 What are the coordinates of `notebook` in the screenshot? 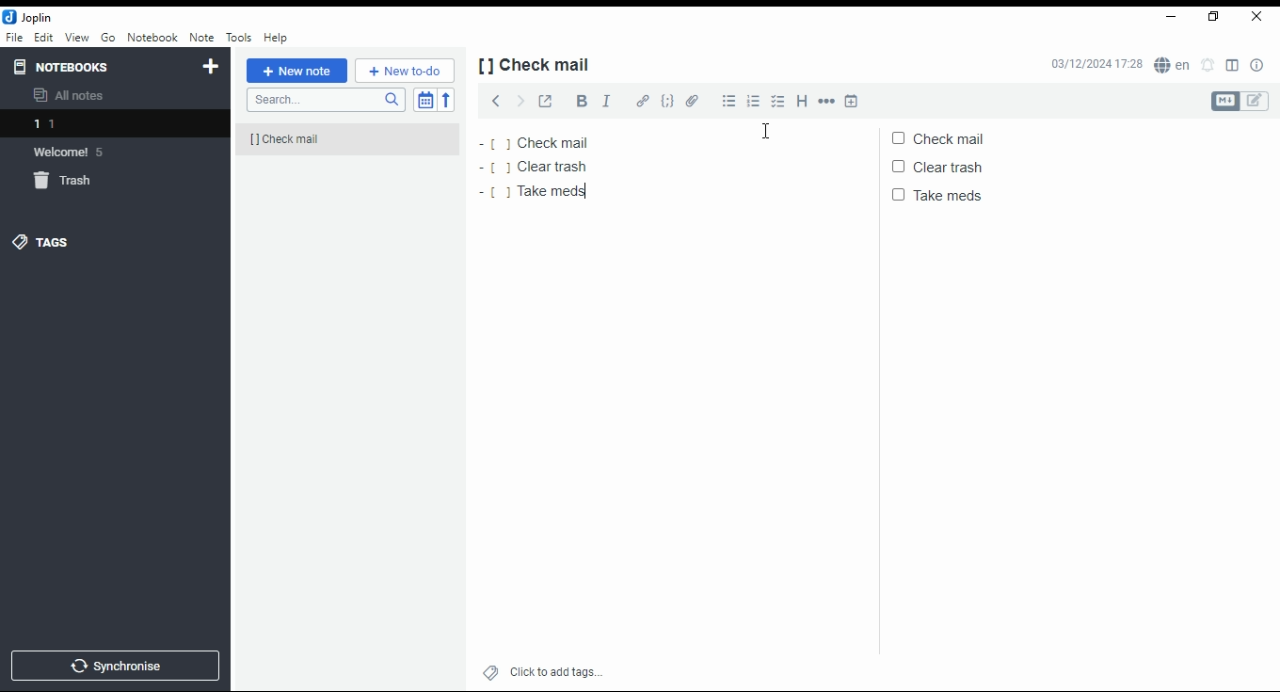 It's located at (153, 37).